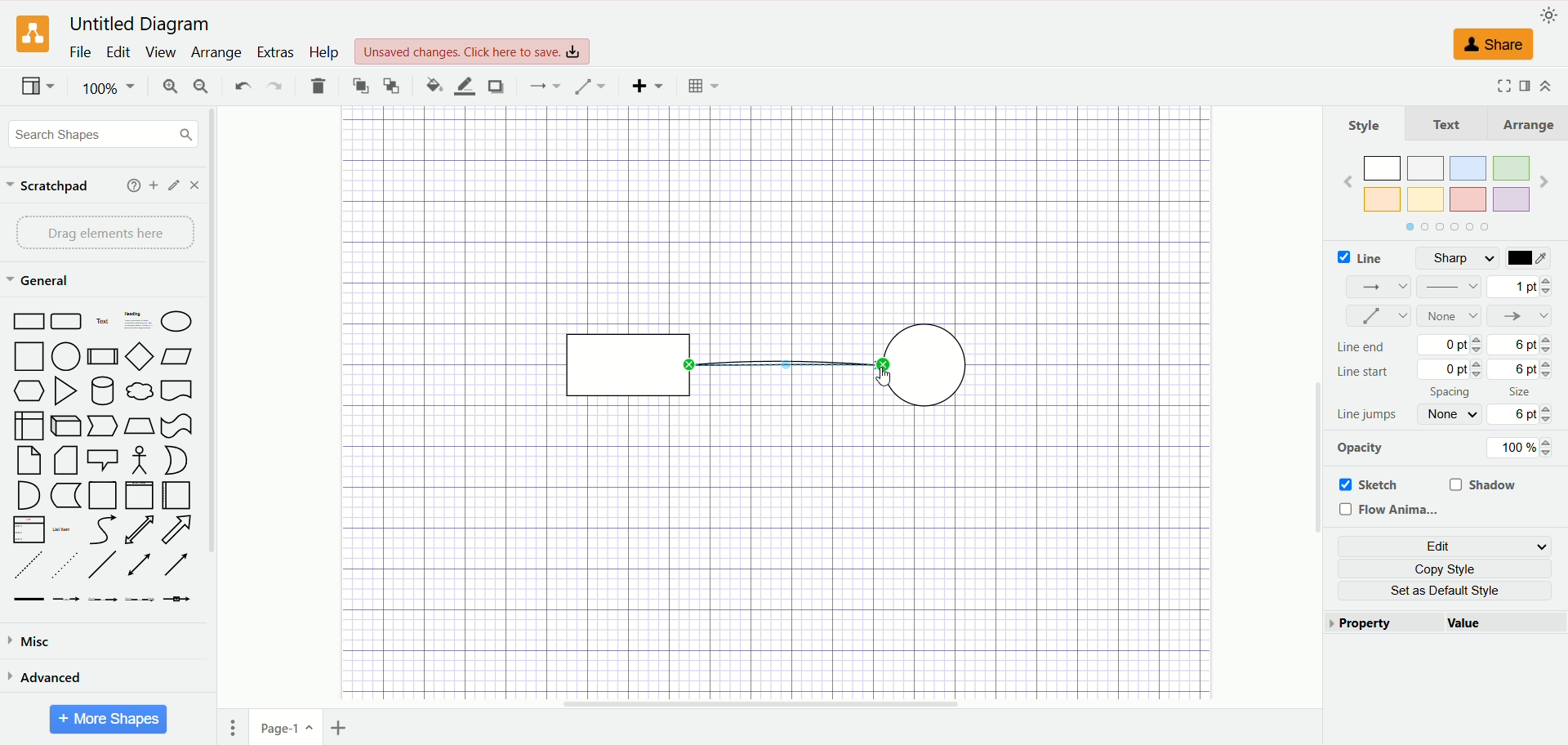 This screenshot has width=1568, height=745. I want to click on 6 pt, so click(1521, 371).